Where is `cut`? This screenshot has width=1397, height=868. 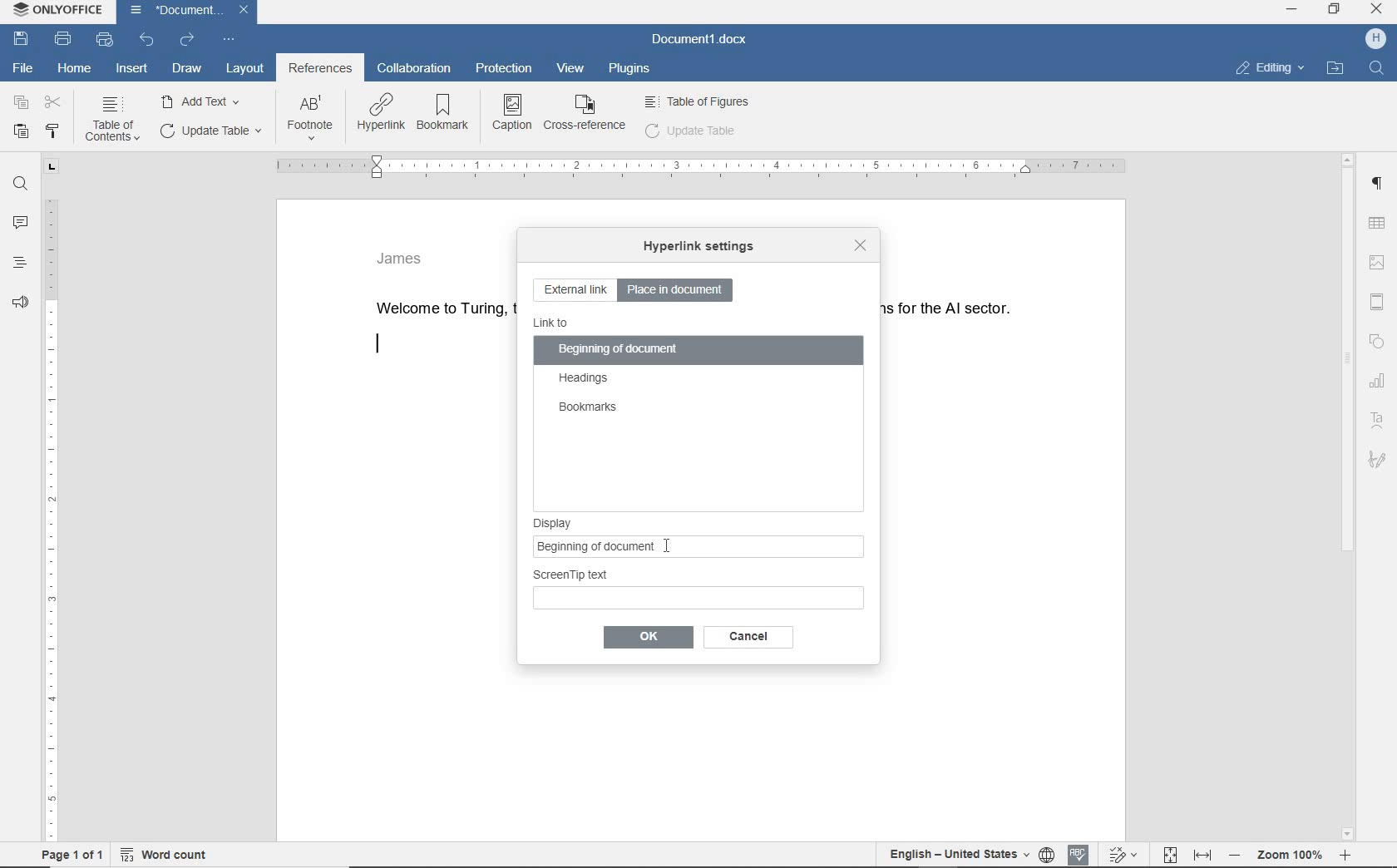
cut is located at coordinates (55, 103).